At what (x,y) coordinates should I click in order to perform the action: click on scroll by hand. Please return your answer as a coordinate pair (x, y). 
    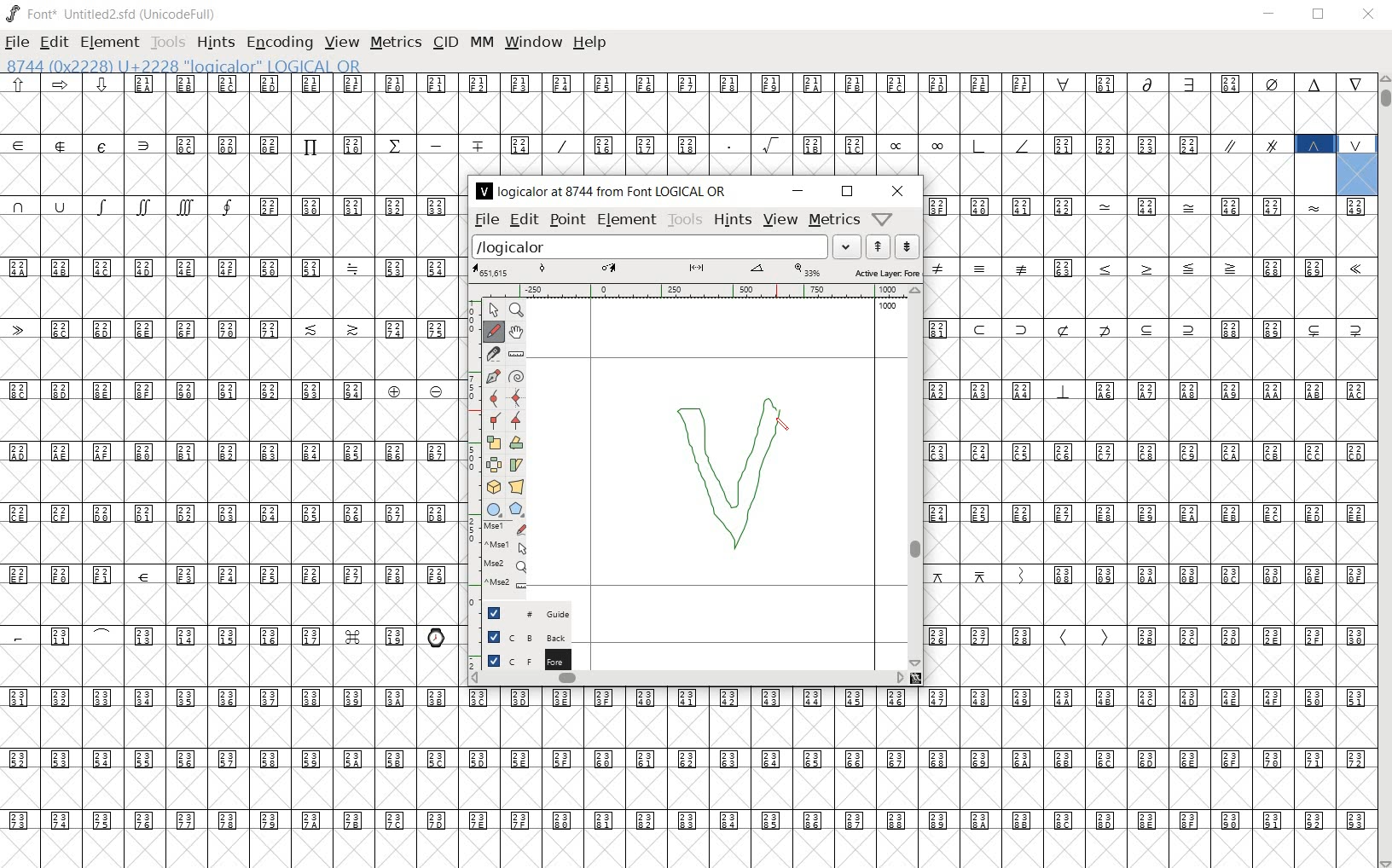
    Looking at the image, I should click on (516, 333).